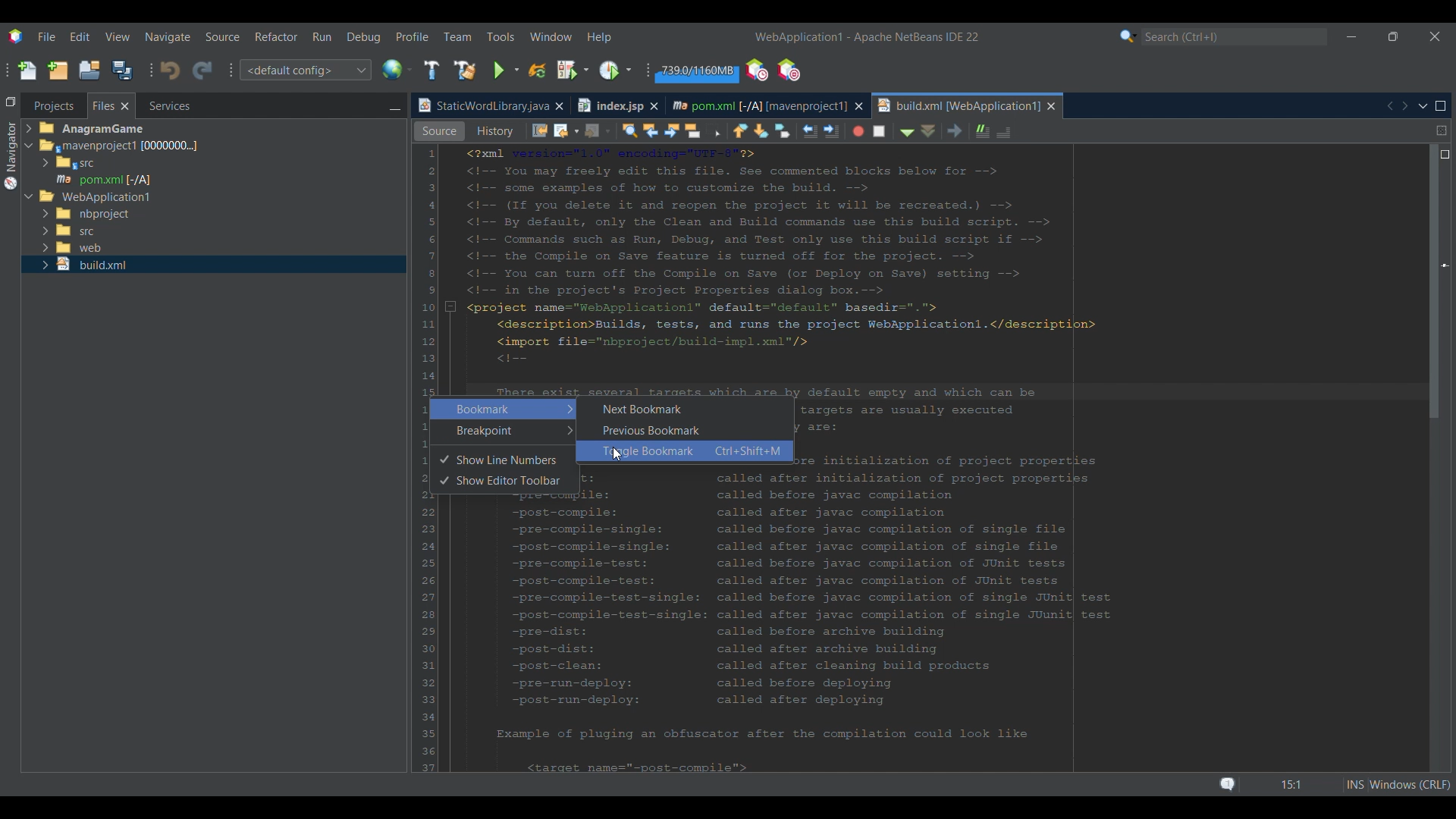 This screenshot has width=1456, height=819. I want to click on Garbage collection changed, so click(697, 73).